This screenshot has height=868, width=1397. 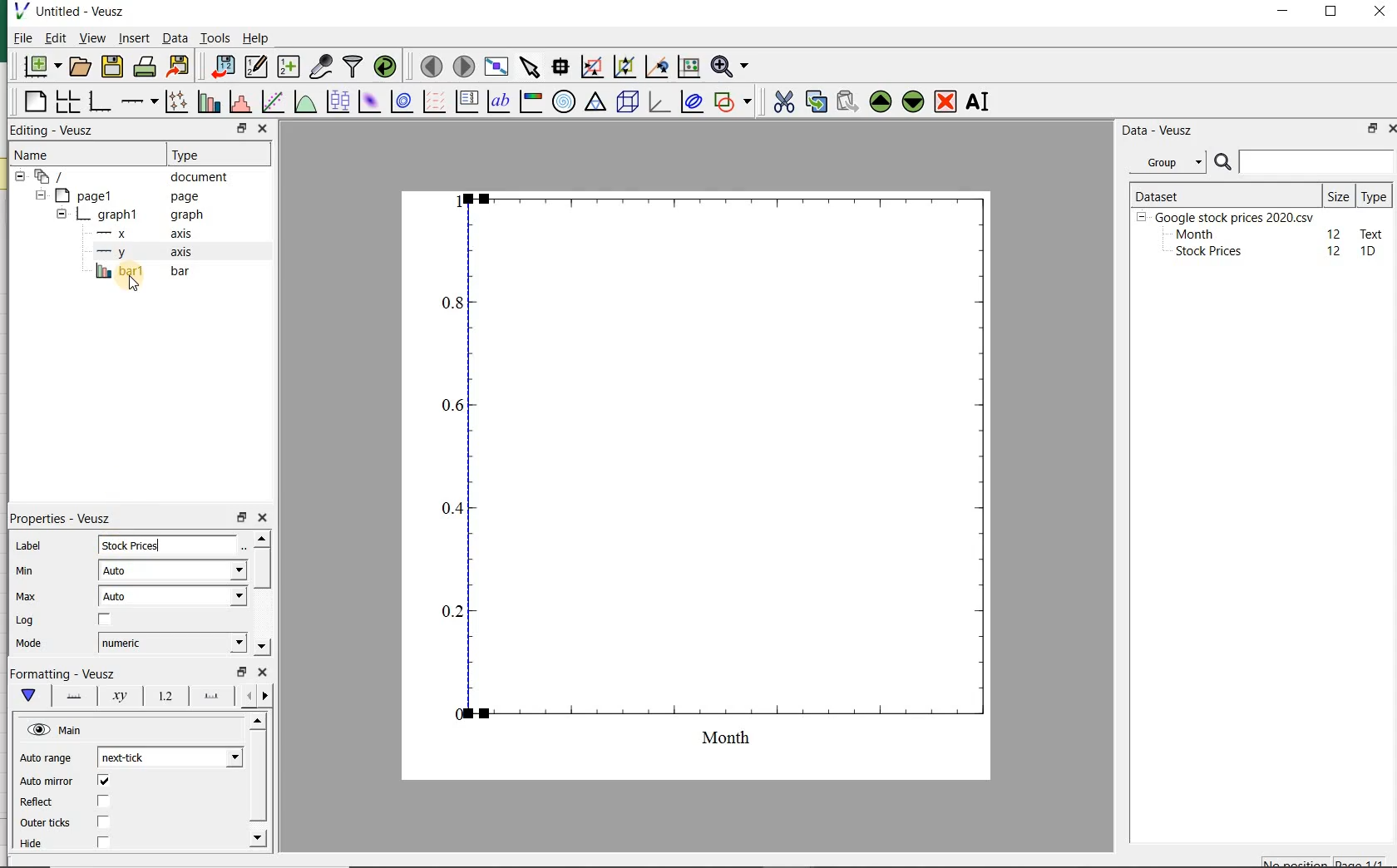 I want to click on Type, so click(x=207, y=153).